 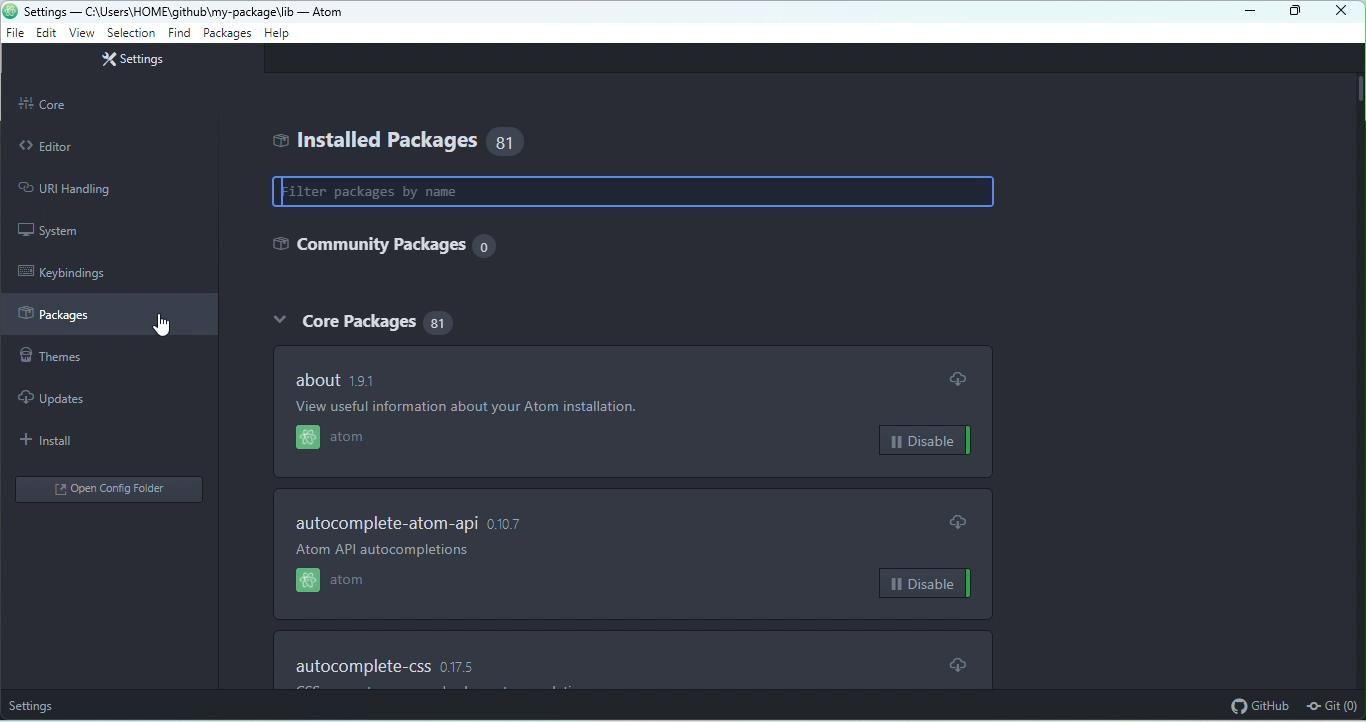 What do you see at coordinates (55, 441) in the screenshot?
I see `install` at bounding box center [55, 441].